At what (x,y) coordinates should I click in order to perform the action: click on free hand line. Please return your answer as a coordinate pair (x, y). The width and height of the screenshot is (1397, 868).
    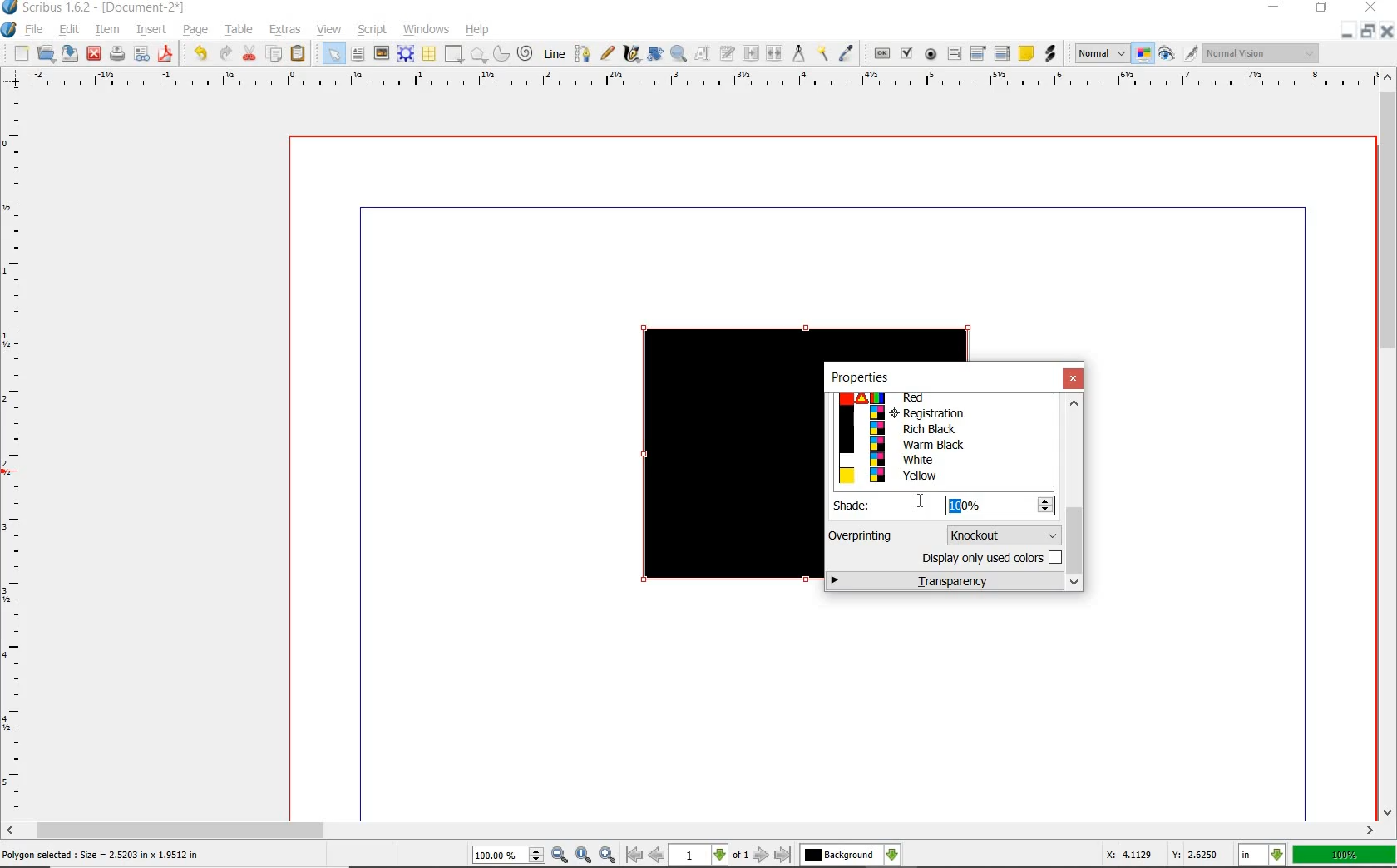
    Looking at the image, I should click on (607, 52).